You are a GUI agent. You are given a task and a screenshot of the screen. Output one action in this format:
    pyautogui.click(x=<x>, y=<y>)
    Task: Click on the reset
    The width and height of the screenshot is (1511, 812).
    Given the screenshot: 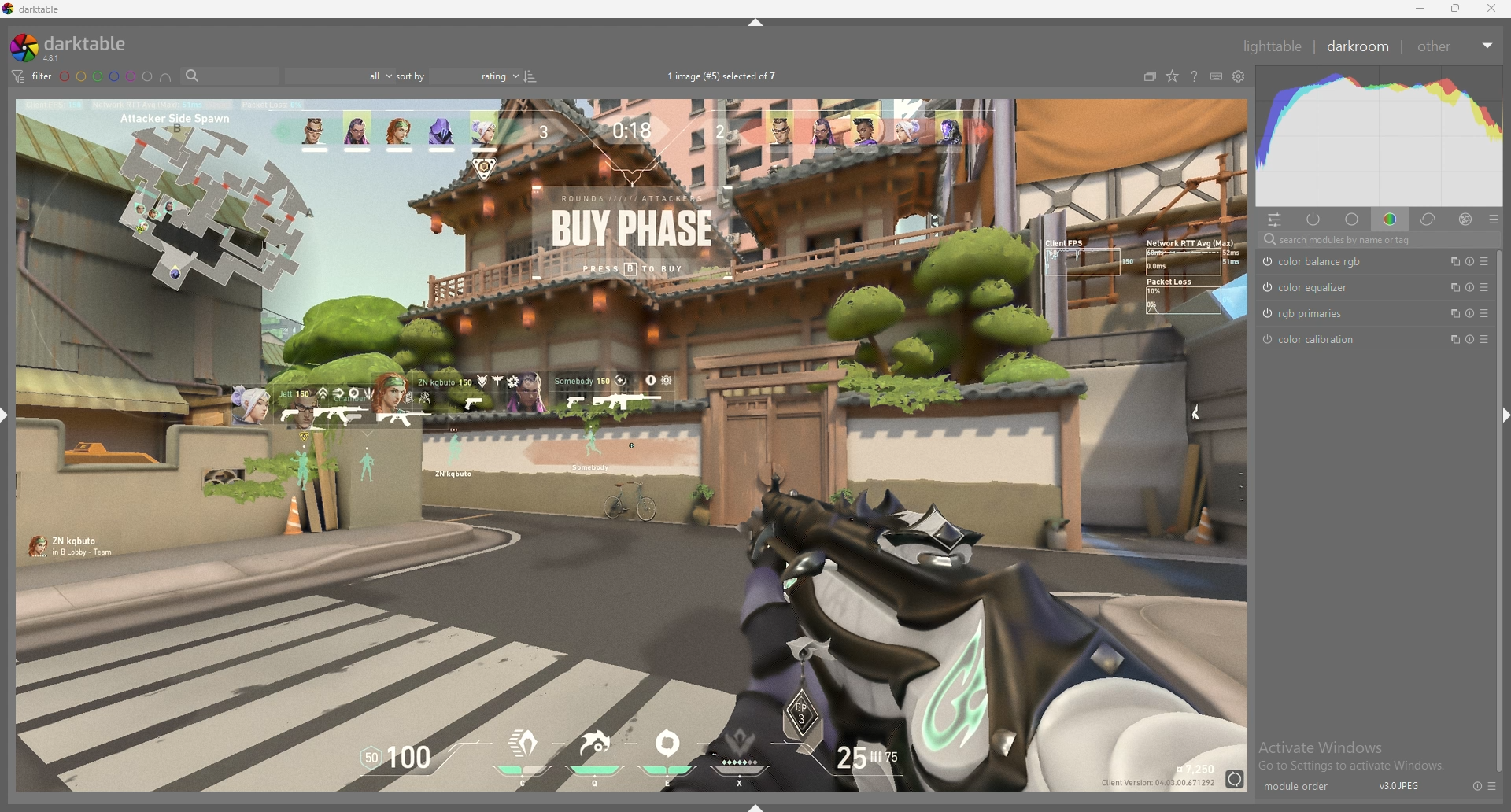 What is the action you would take?
    pyautogui.click(x=1469, y=287)
    